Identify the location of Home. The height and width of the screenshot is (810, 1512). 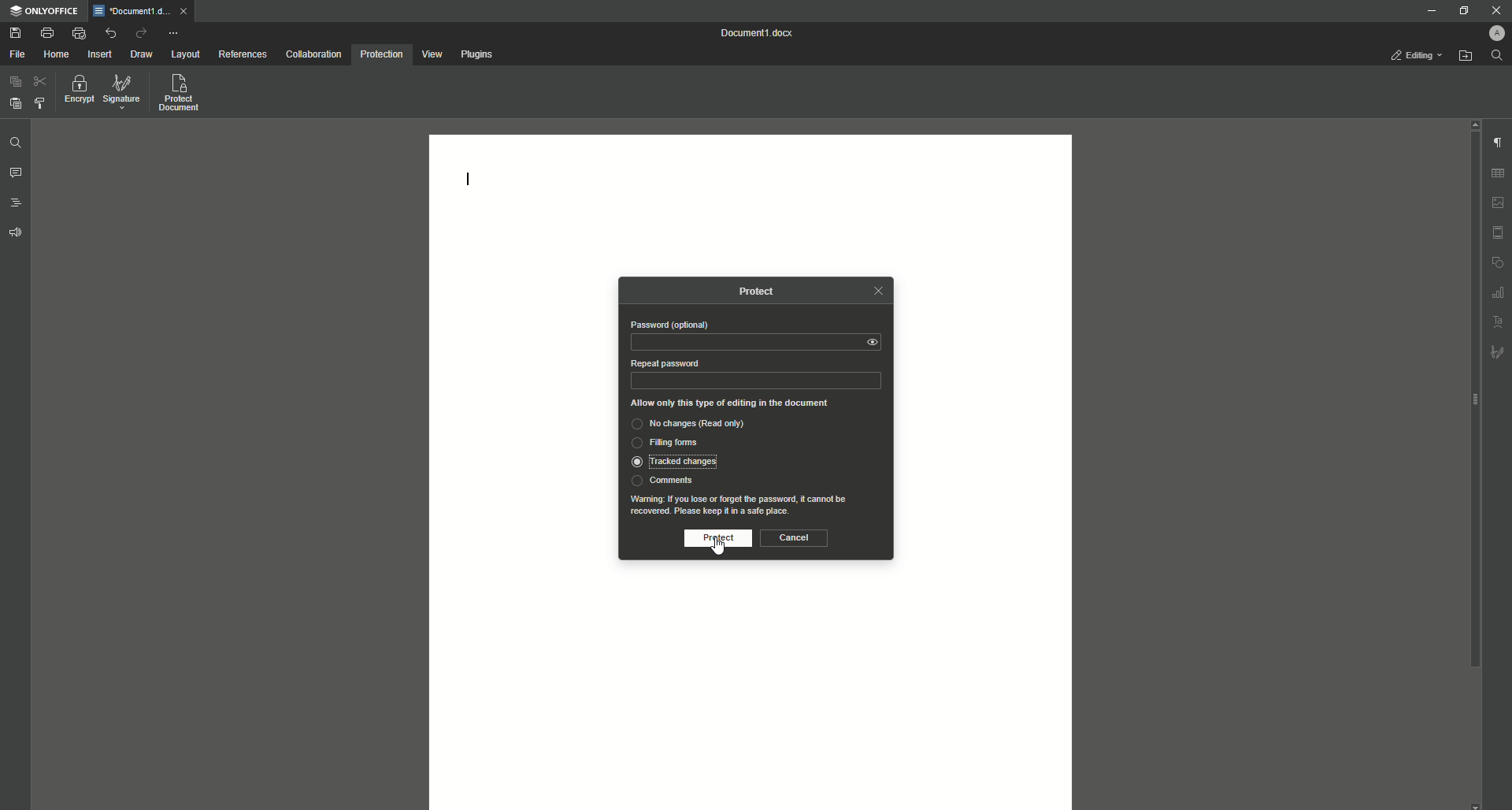
(56, 55).